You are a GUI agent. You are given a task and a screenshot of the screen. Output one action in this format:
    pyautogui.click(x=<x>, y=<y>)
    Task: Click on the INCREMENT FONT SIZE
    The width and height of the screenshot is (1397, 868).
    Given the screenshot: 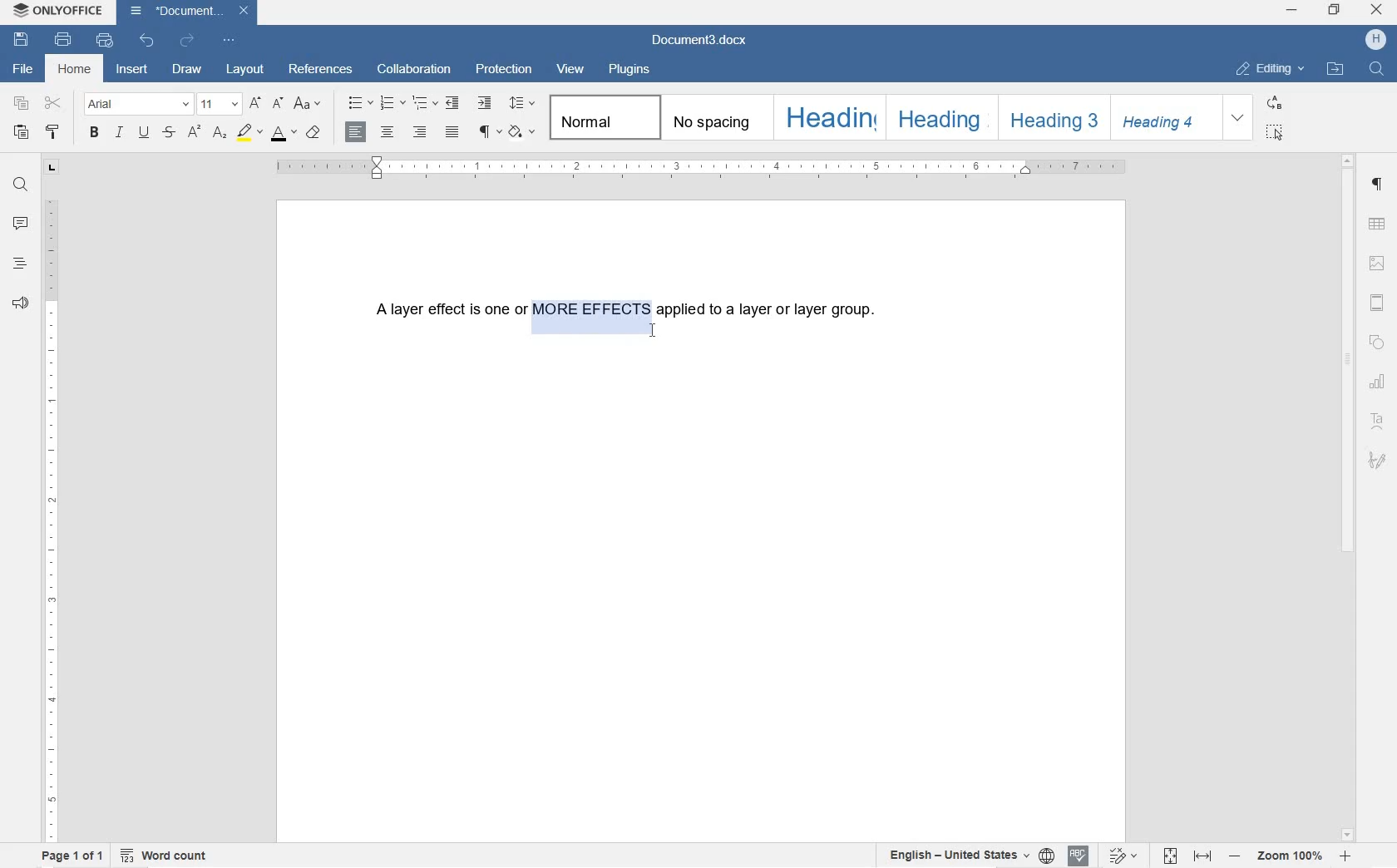 What is the action you would take?
    pyautogui.click(x=278, y=104)
    